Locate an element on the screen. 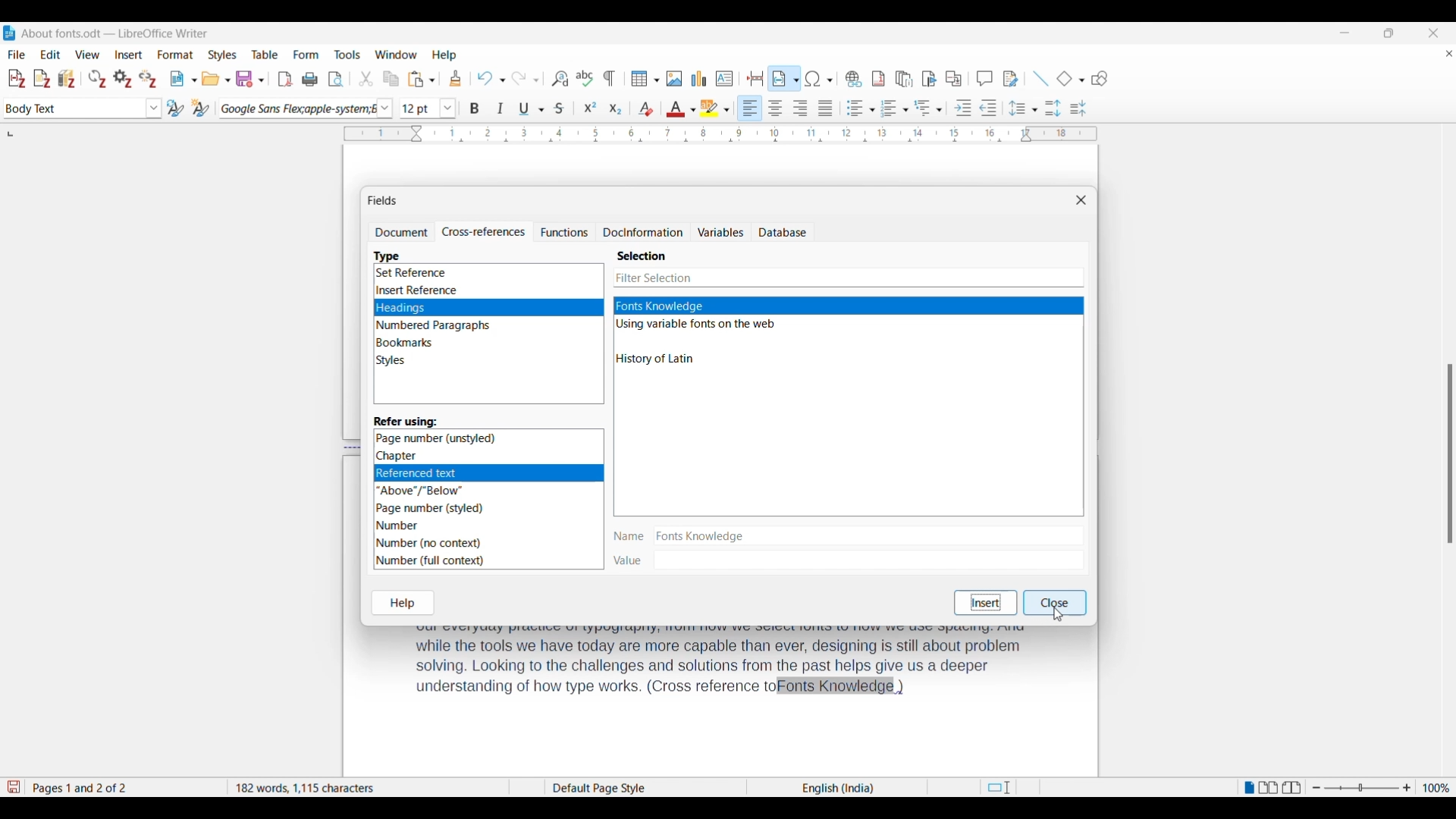 The width and height of the screenshot is (1456, 819). Standard selection is located at coordinates (998, 789).